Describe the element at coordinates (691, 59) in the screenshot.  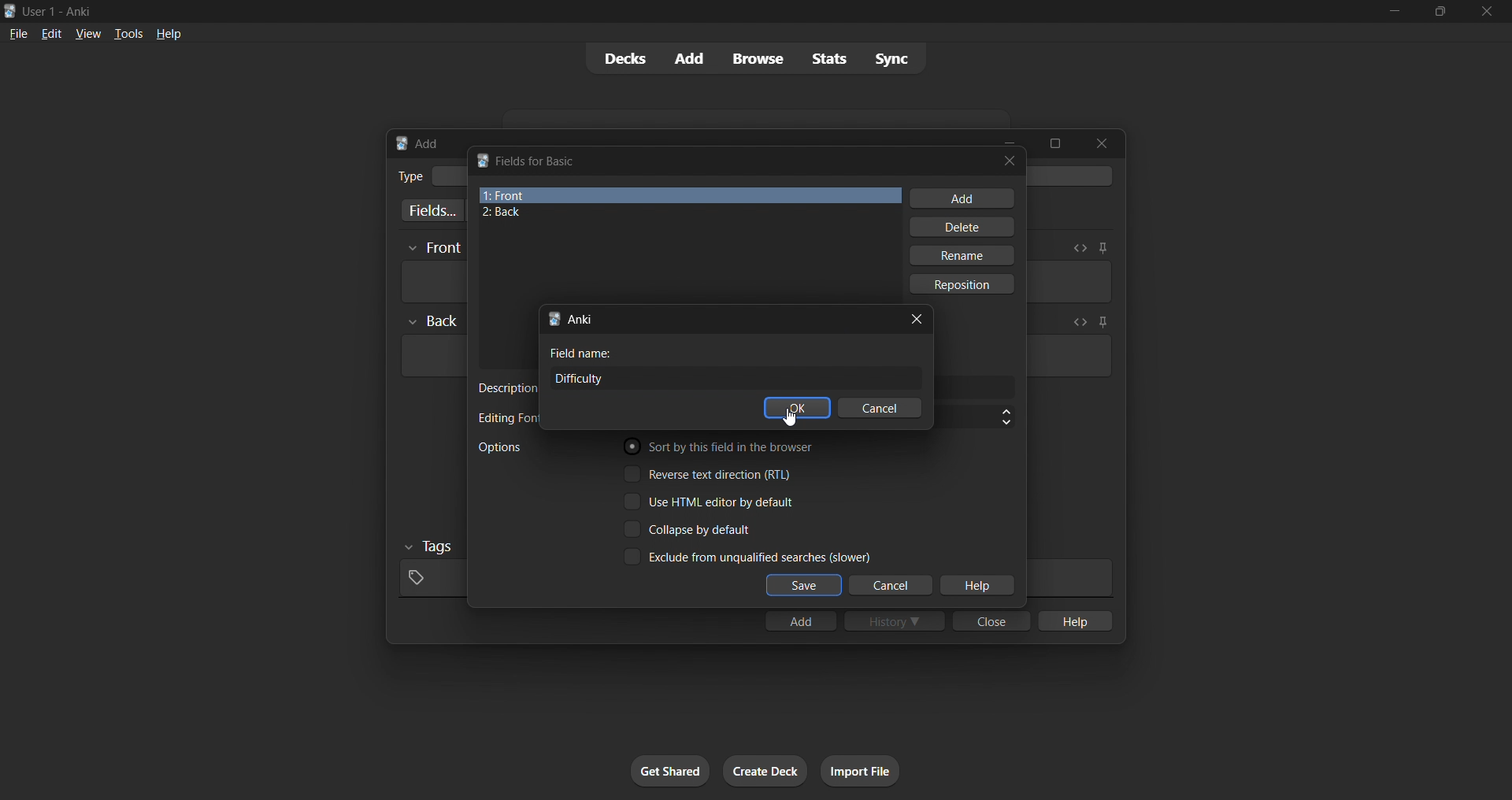
I see `add` at that location.